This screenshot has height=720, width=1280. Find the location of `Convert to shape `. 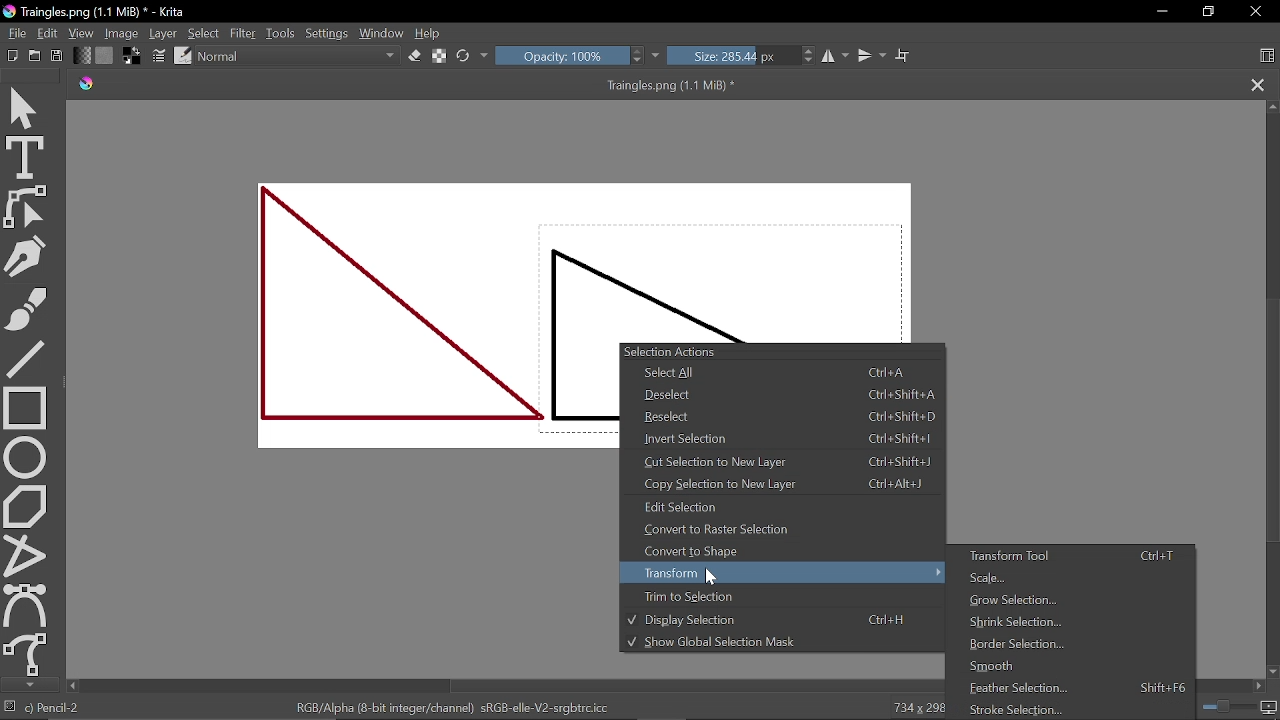

Convert to shape  is located at coordinates (779, 550).